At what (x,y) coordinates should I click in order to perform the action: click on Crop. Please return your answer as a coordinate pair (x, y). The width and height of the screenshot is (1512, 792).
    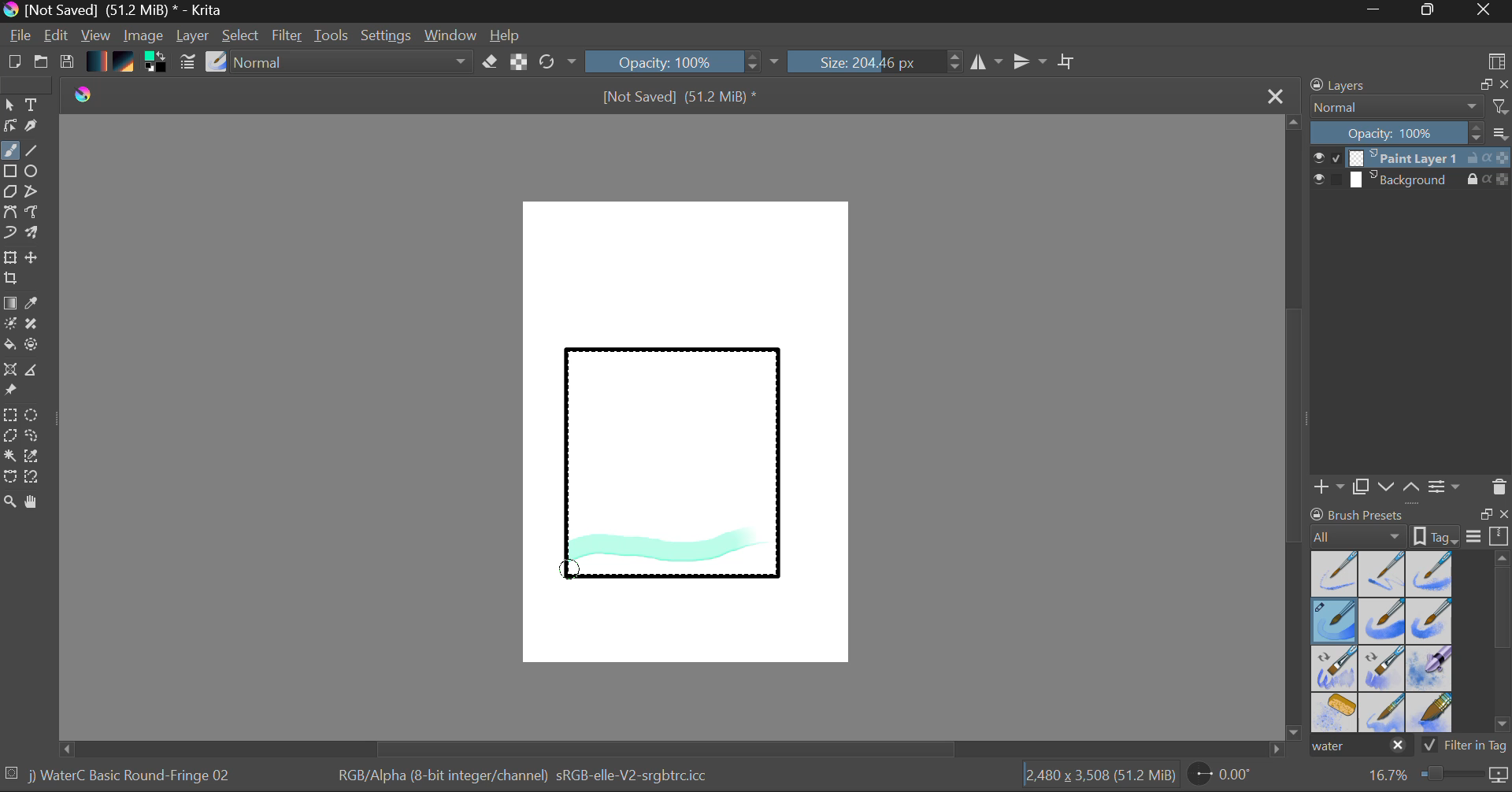
    Looking at the image, I should click on (13, 279).